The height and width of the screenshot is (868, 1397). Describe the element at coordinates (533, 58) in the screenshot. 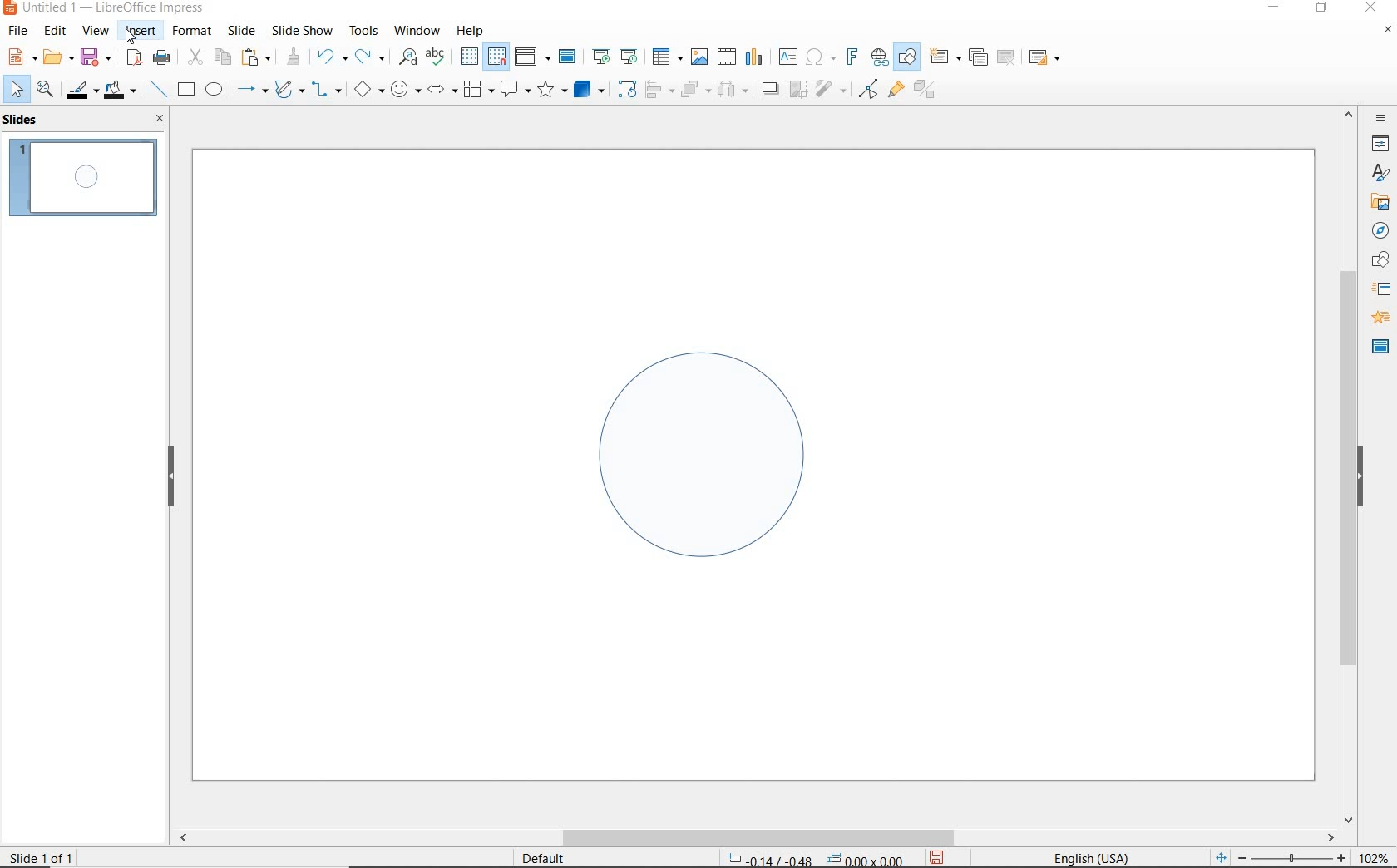

I see `display views` at that location.